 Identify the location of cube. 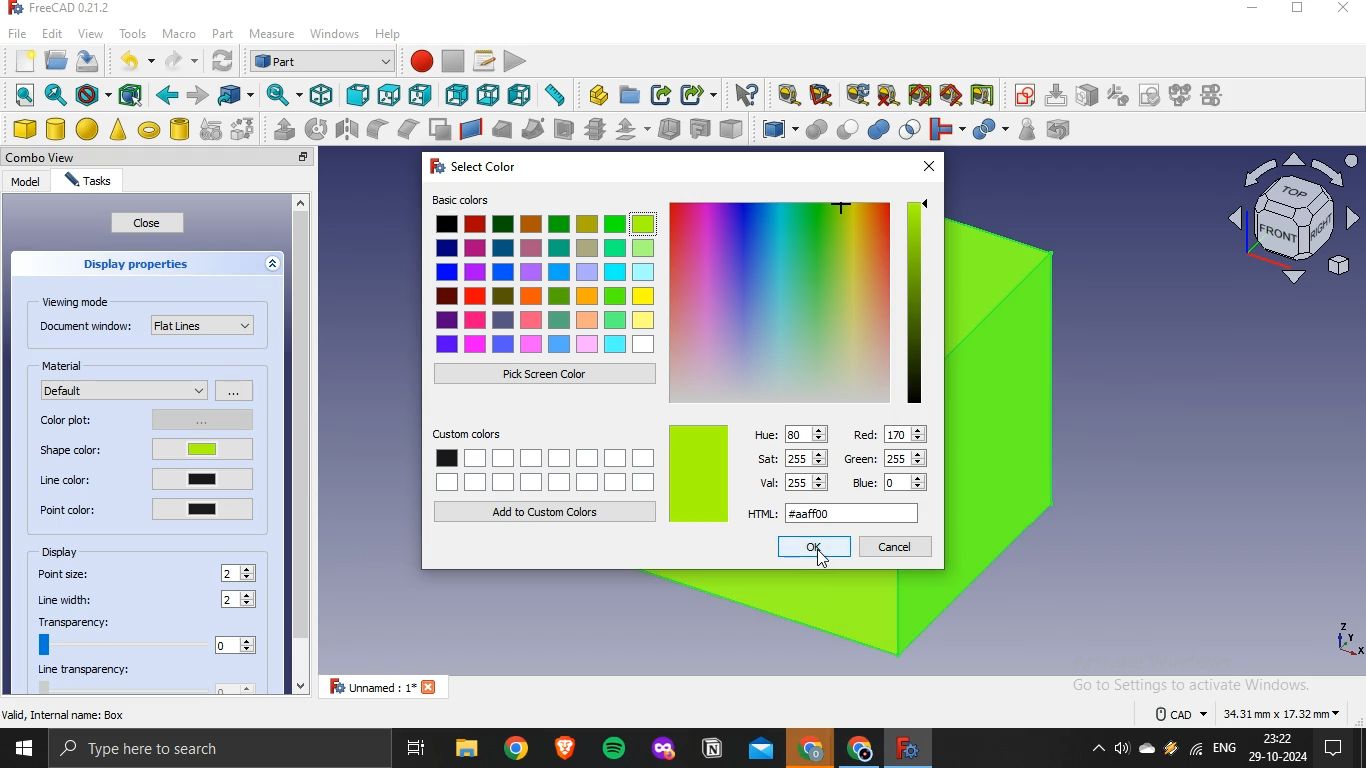
(24, 129).